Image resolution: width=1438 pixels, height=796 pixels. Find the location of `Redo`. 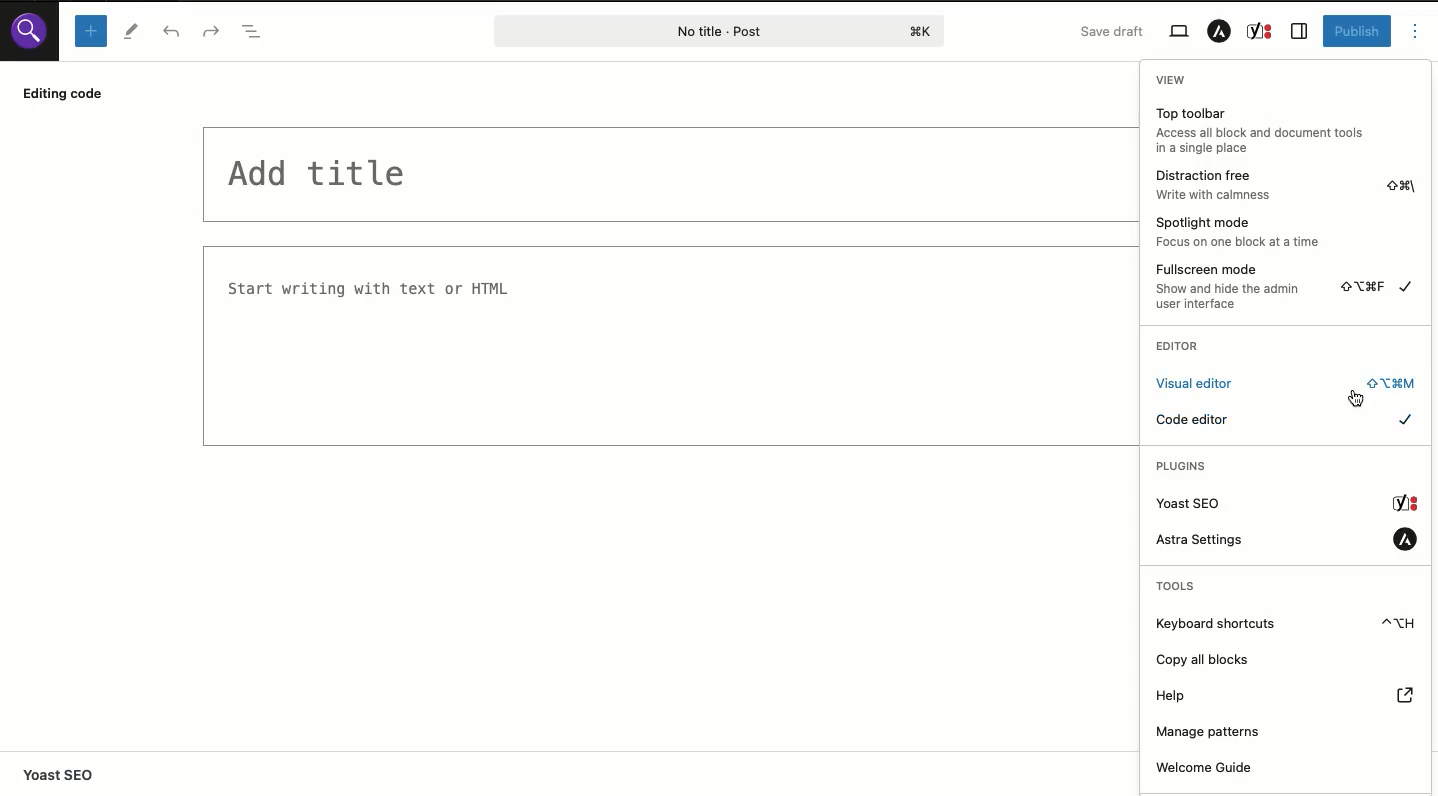

Redo is located at coordinates (212, 32).